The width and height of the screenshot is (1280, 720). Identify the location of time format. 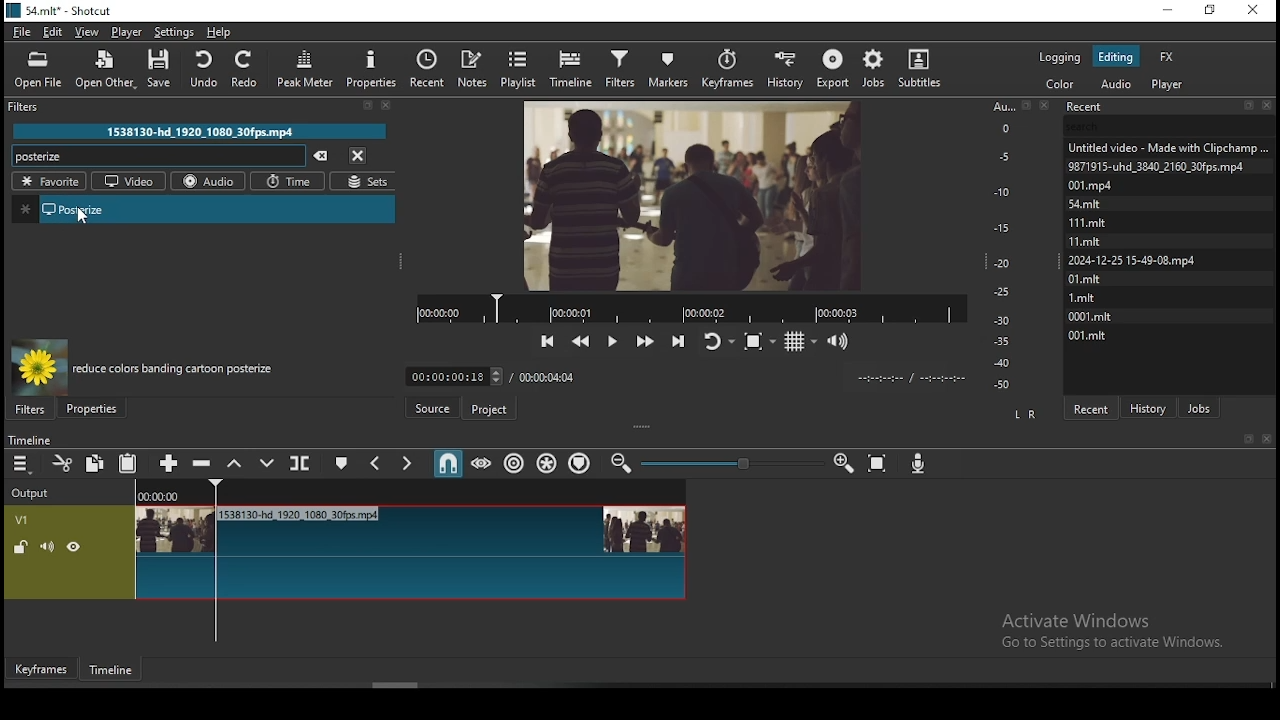
(909, 376).